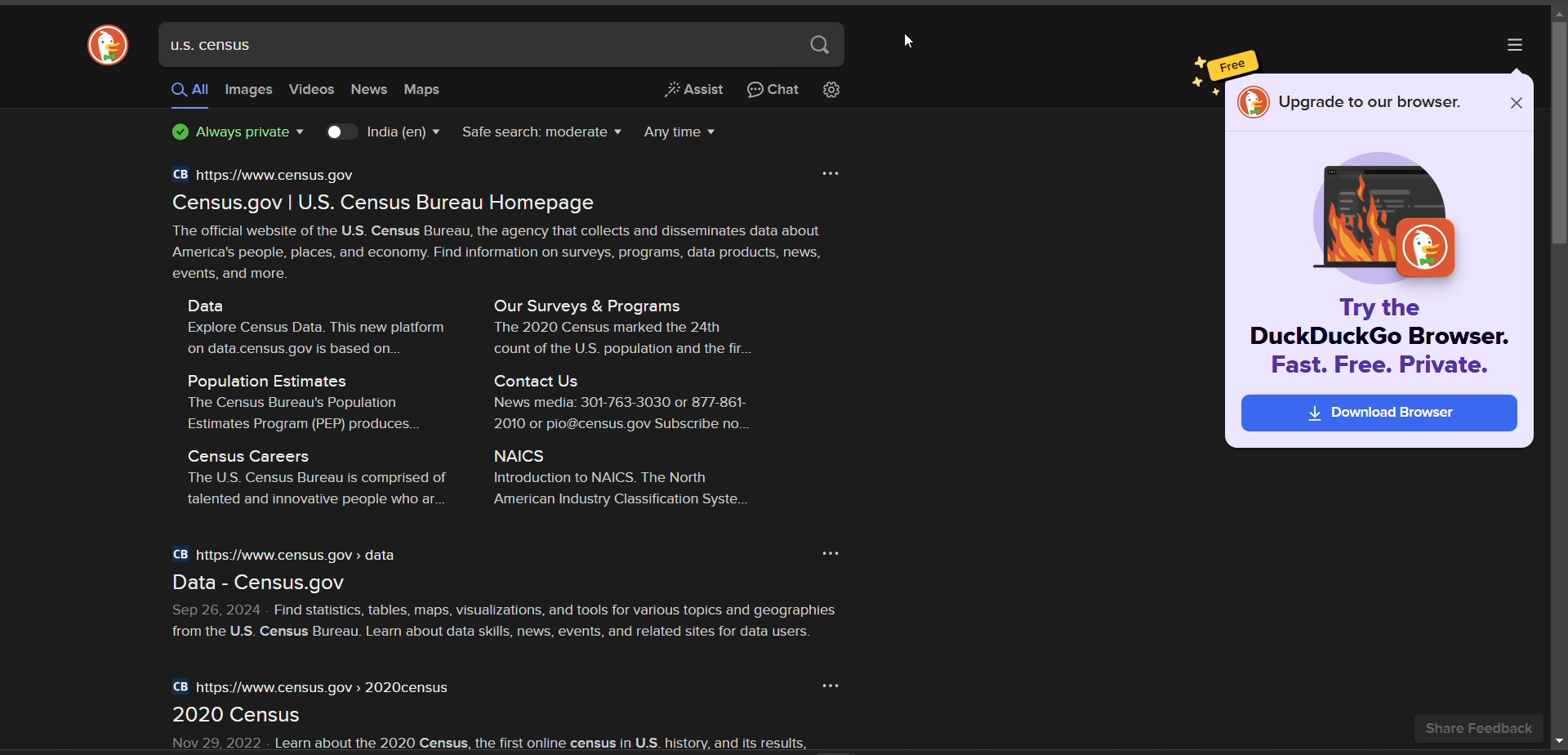 The width and height of the screenshot is (1568, 755). I want to click on The U.S. Census Bureau is comprised of
talented and innovative people who ar., so click(302, 491).